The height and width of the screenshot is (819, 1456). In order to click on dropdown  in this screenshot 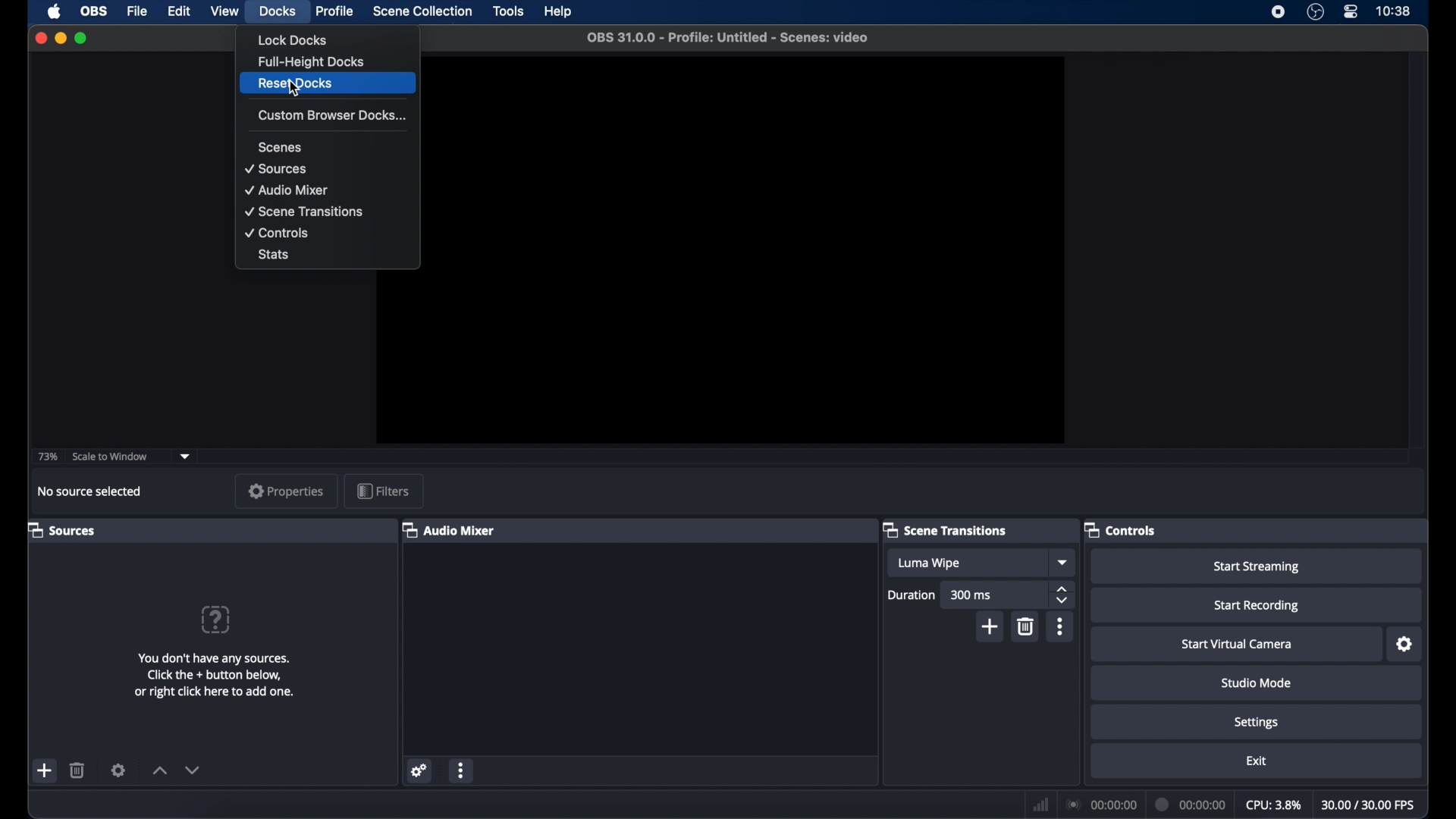, I will do `click(187, 455)`.